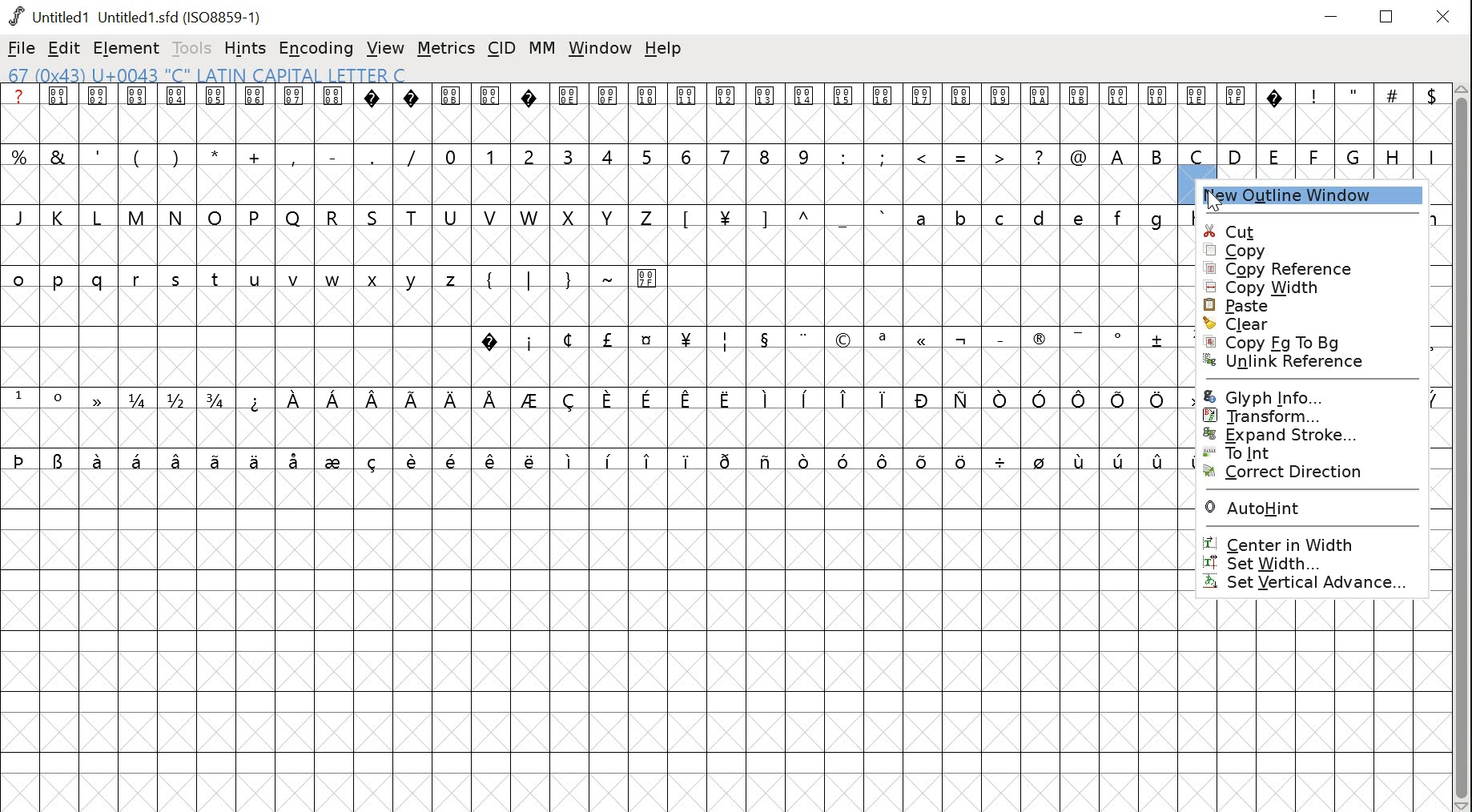 The image size is (1472, 812). What do you see at coordinates (126, 48) in the screenshot?
I see `element` at bounding box center [126, 48].